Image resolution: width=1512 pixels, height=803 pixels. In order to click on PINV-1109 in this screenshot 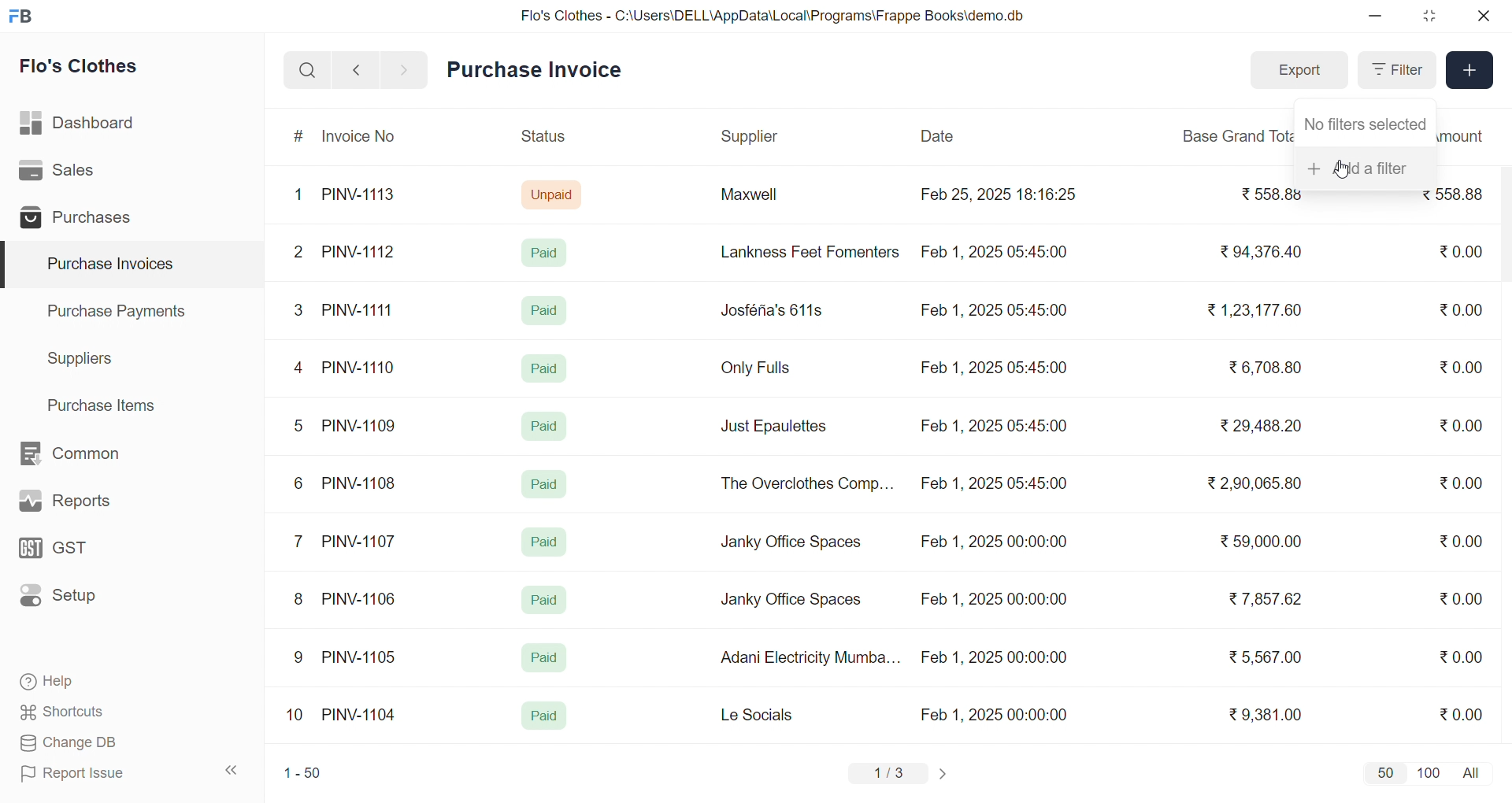, I will do `click(361, 425)`.